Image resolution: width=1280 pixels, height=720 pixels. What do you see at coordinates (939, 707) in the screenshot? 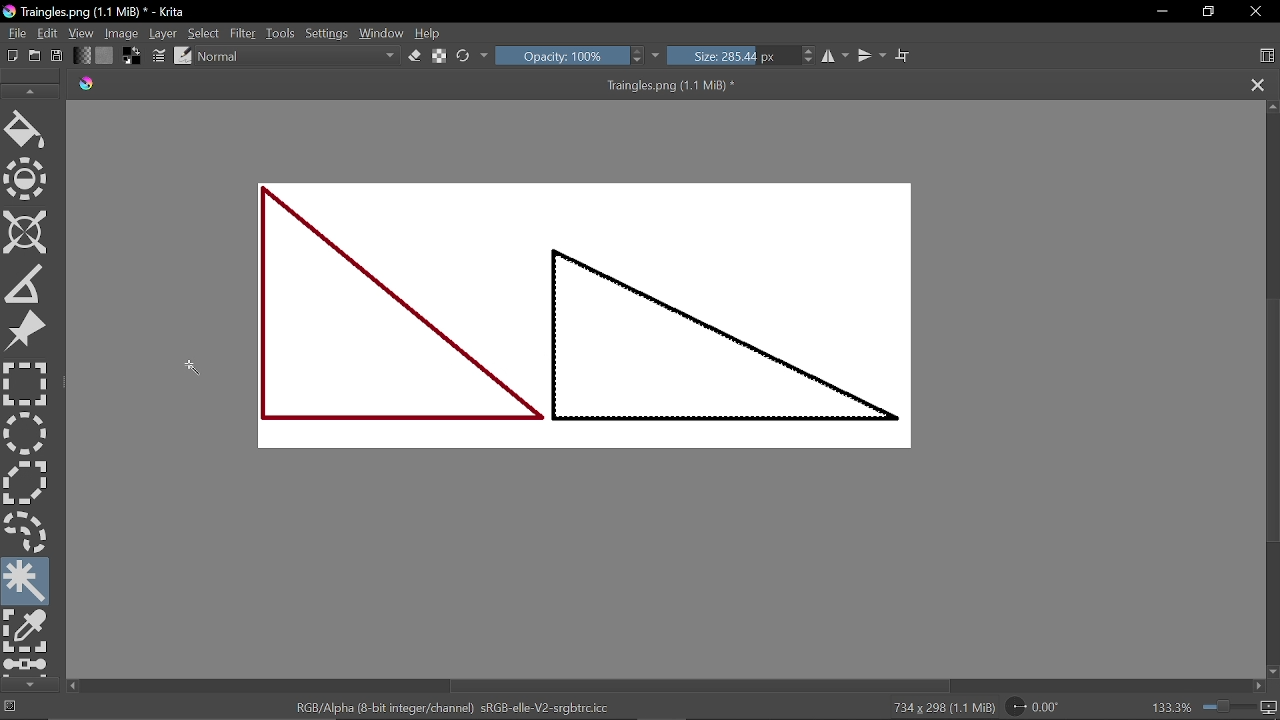
I see `734 x 208 (960.0 KiB)` at bounding box center [939, 707].